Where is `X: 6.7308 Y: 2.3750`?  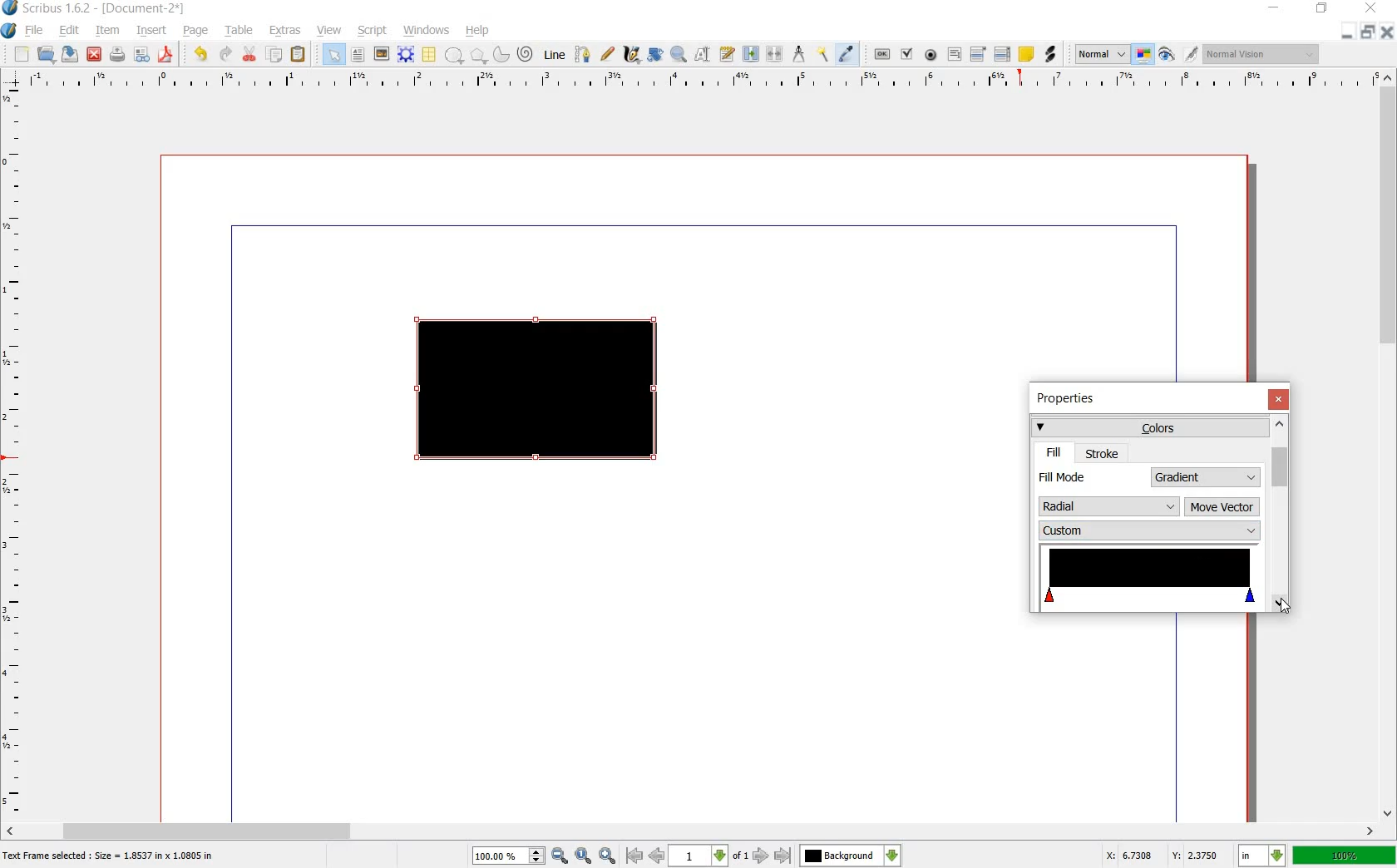 X: 6.7308 Y: 2.3750 is located at coordinates (1162, 855).